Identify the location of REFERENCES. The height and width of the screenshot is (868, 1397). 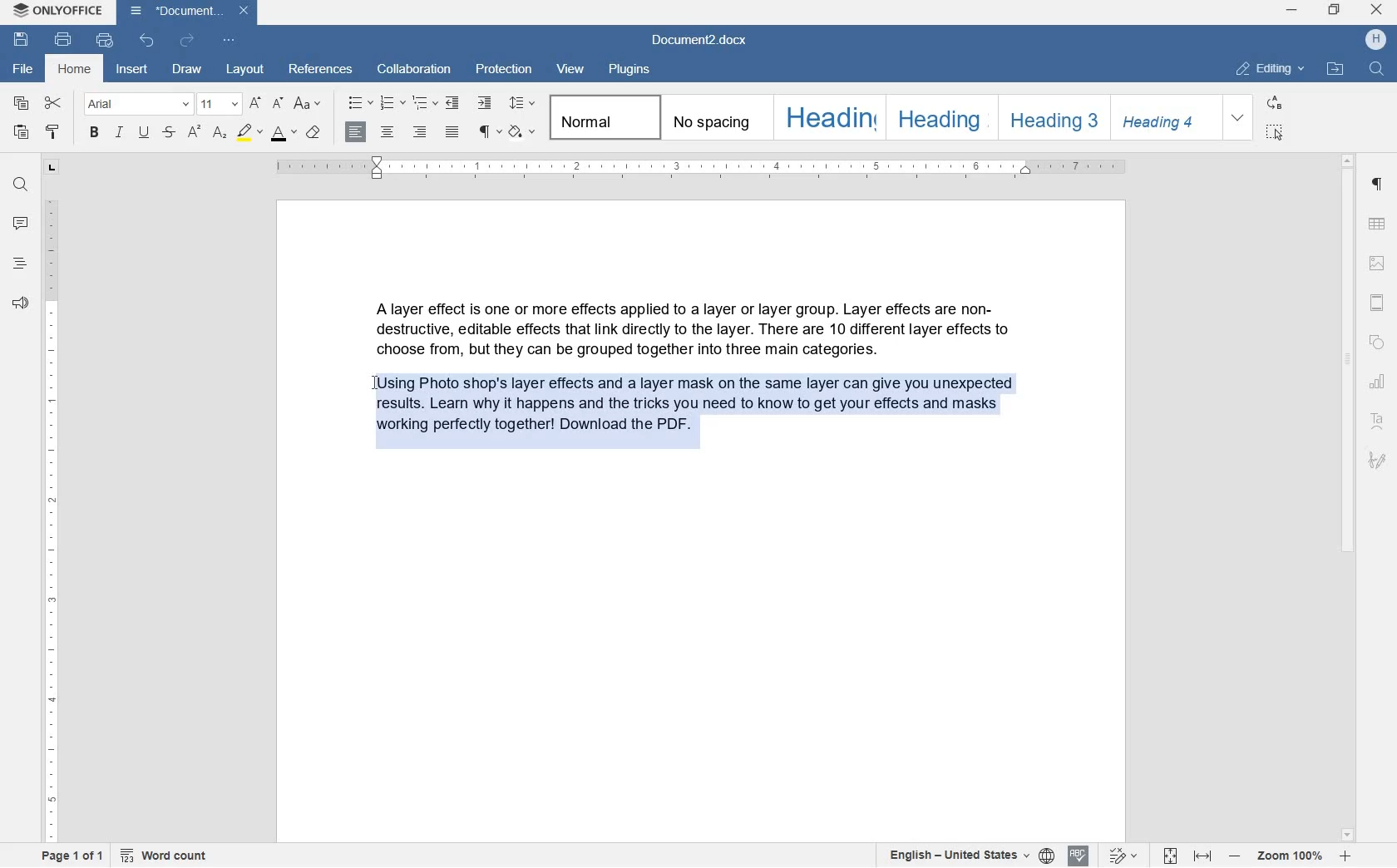
(322, 71).